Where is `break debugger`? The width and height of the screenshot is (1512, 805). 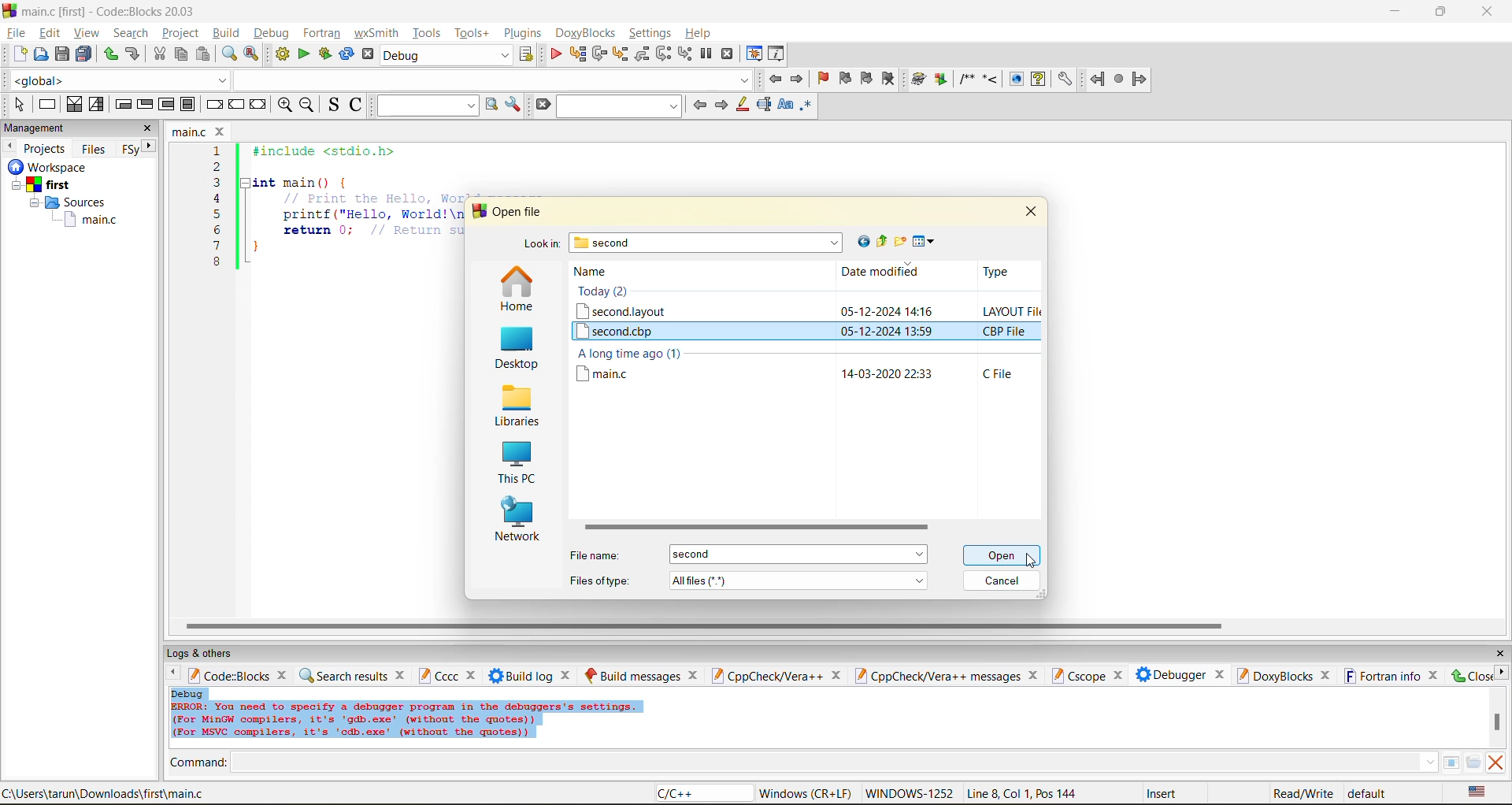
break debugger is located at coordinates (706, 54).